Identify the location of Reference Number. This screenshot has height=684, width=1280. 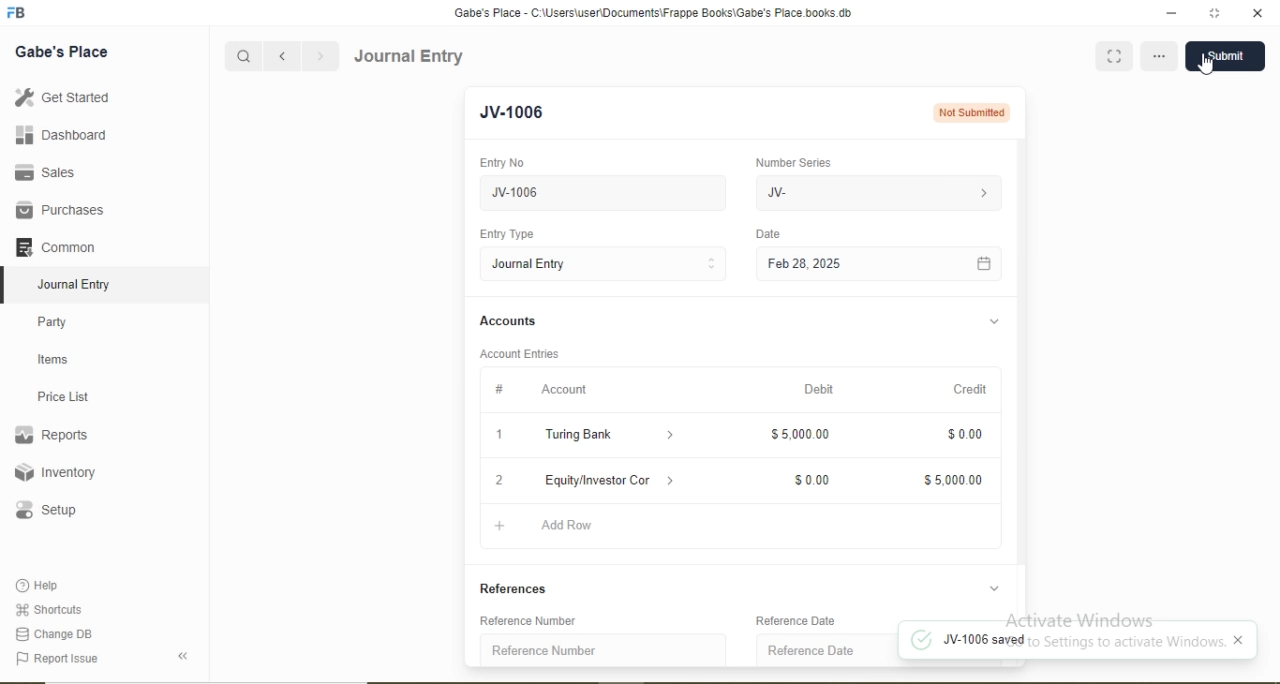
(529, 620).